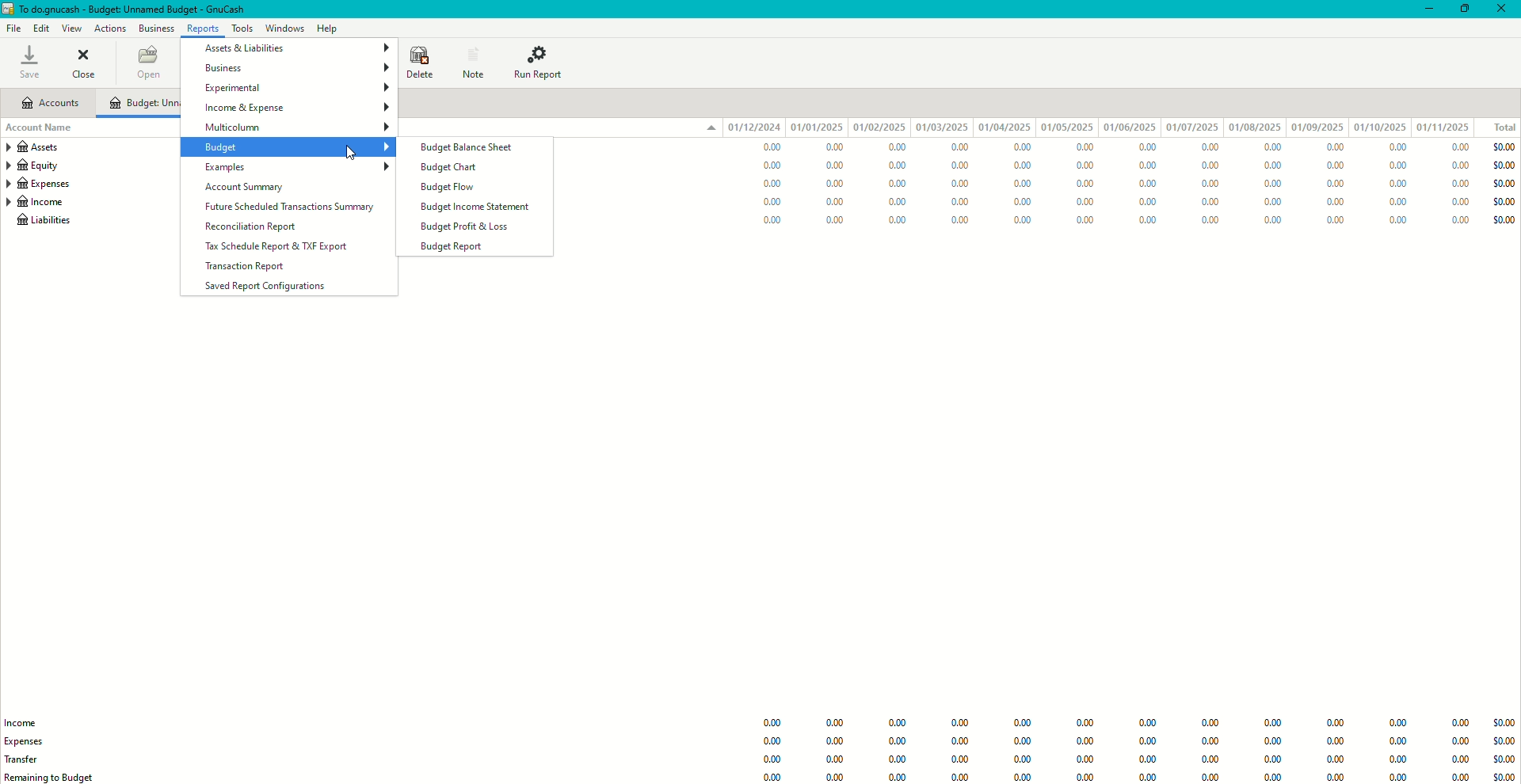 This screenshot has height=784, width=1521. Describe the element at coordinates (1458, 763) in the screenshot. I see `0.00` at that location.